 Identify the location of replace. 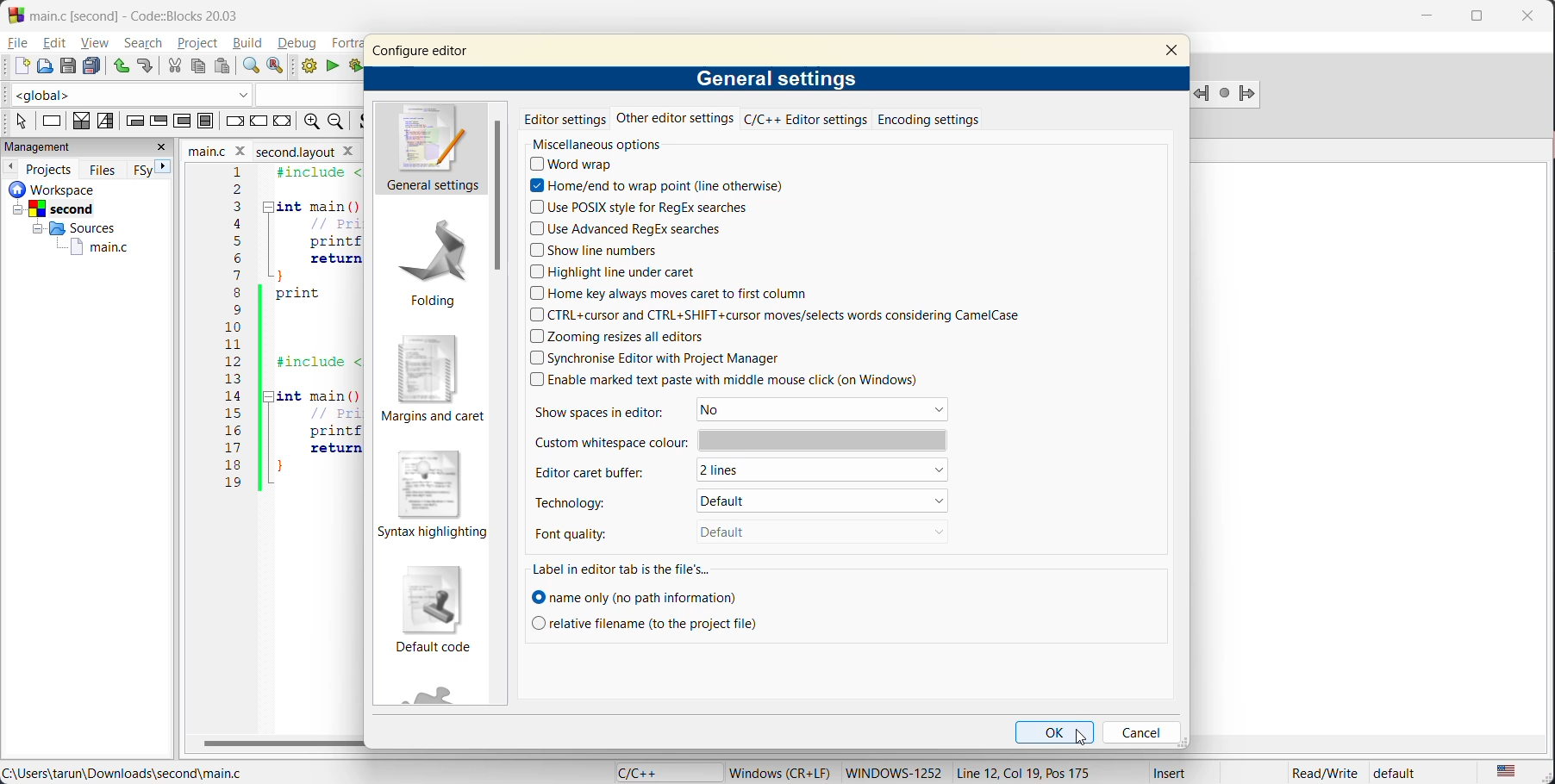
(279, 66).